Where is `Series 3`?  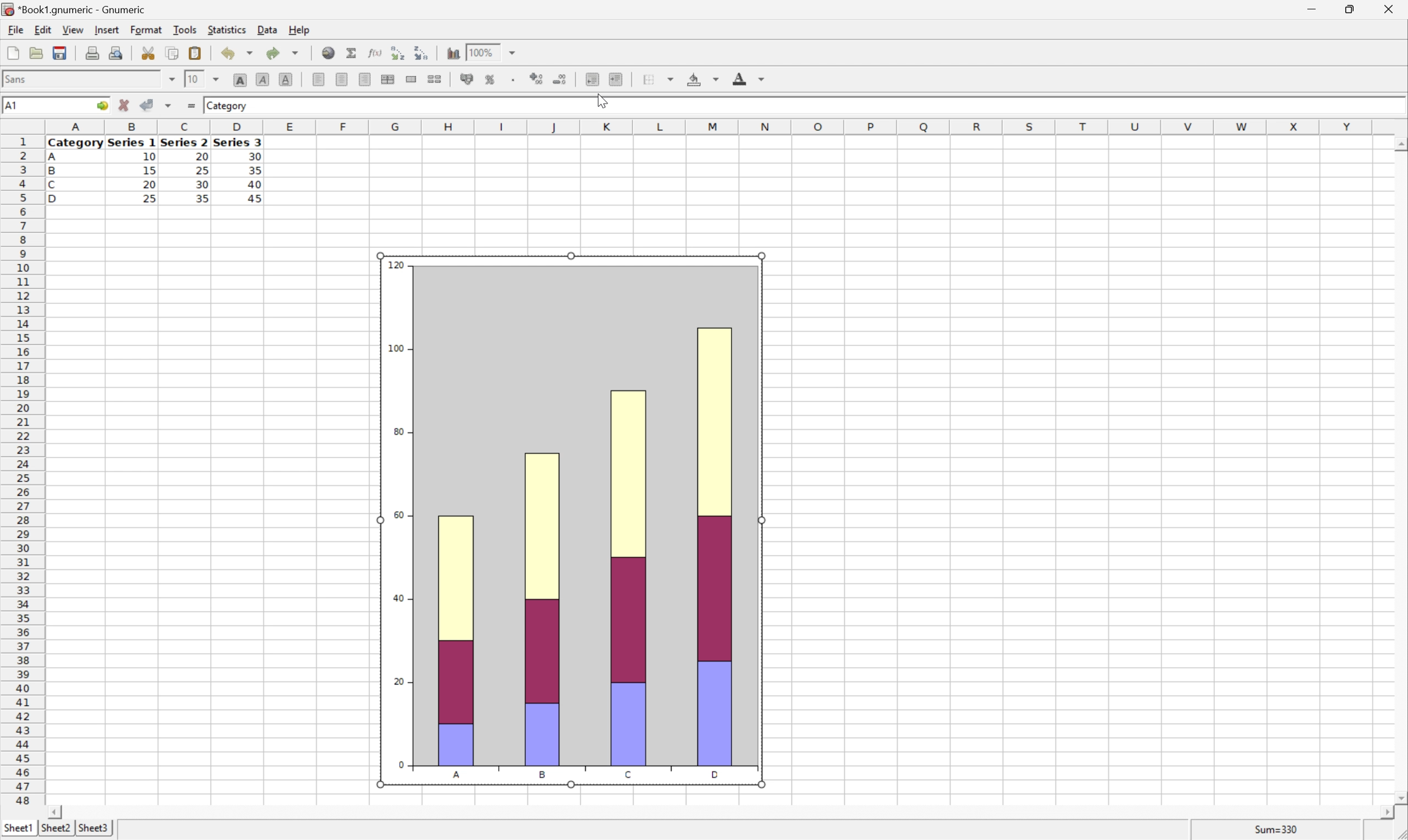
Series 3 is located at coordinates (238, 142).